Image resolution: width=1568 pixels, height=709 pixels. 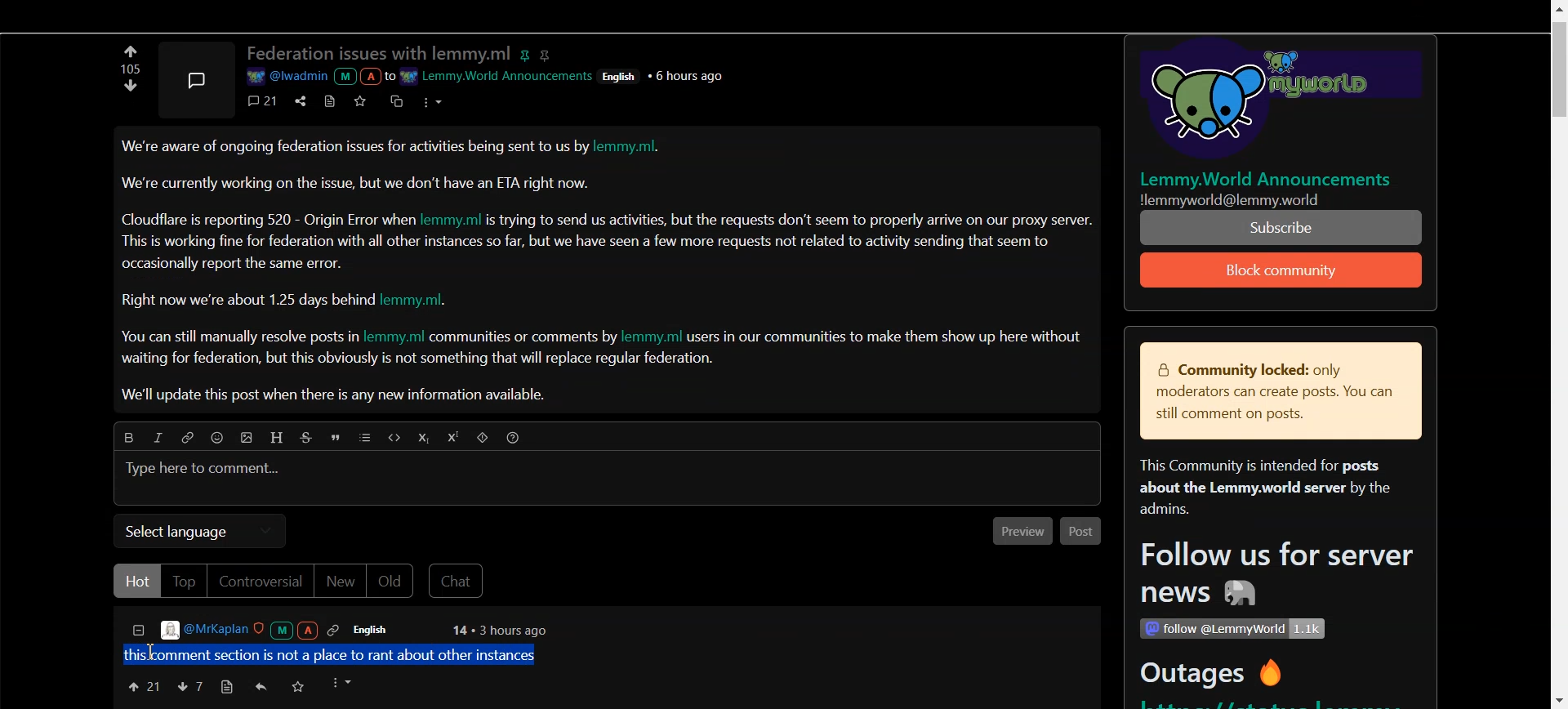 What do you see at coordinates (1269, 393) in the screenshot?
I see `& Community locked: only
moderators can create posts. You can
still comment on posts.` at bounding box center [1269, 393].